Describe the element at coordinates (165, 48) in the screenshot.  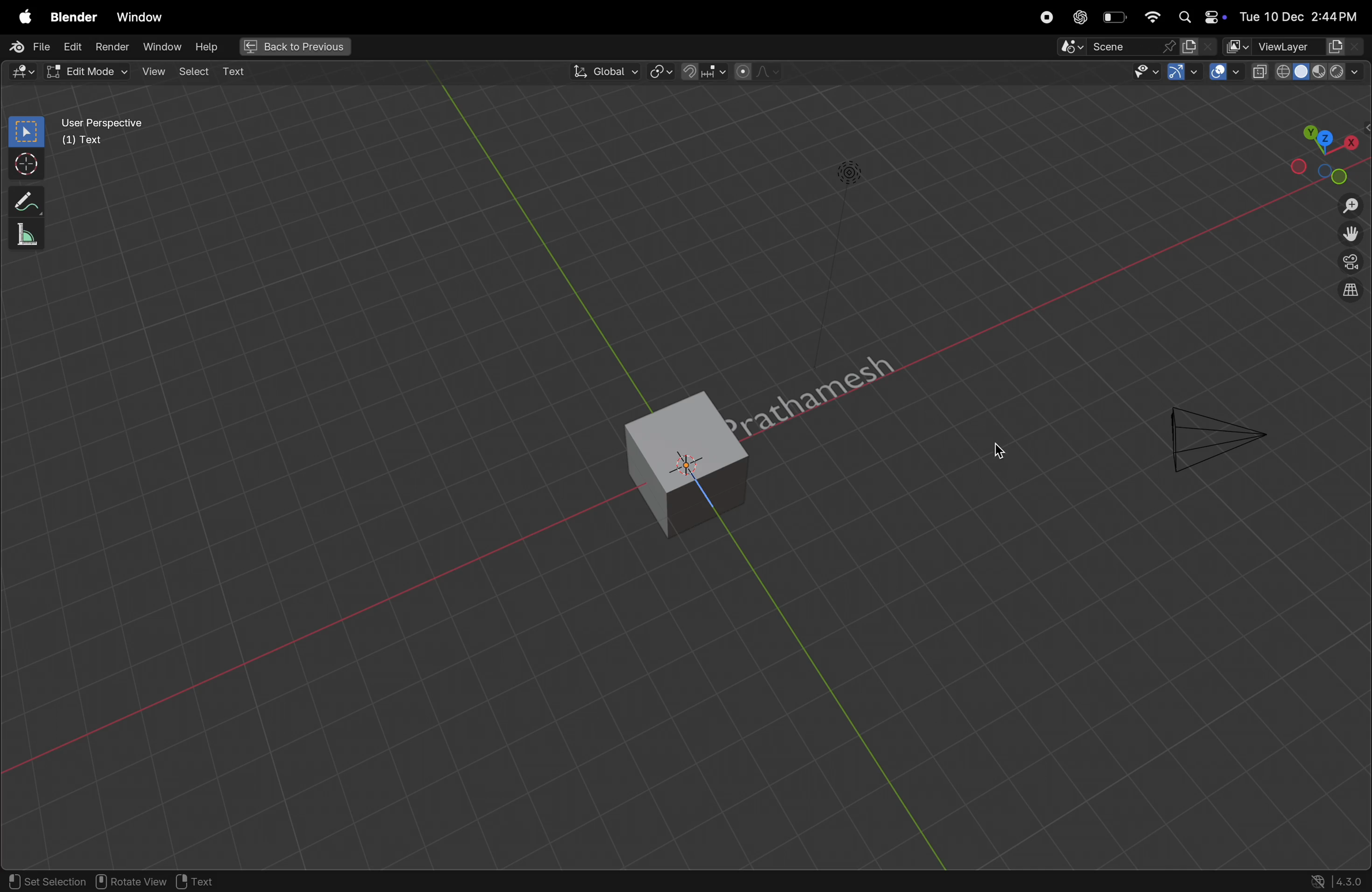
I see `Window` at that location.